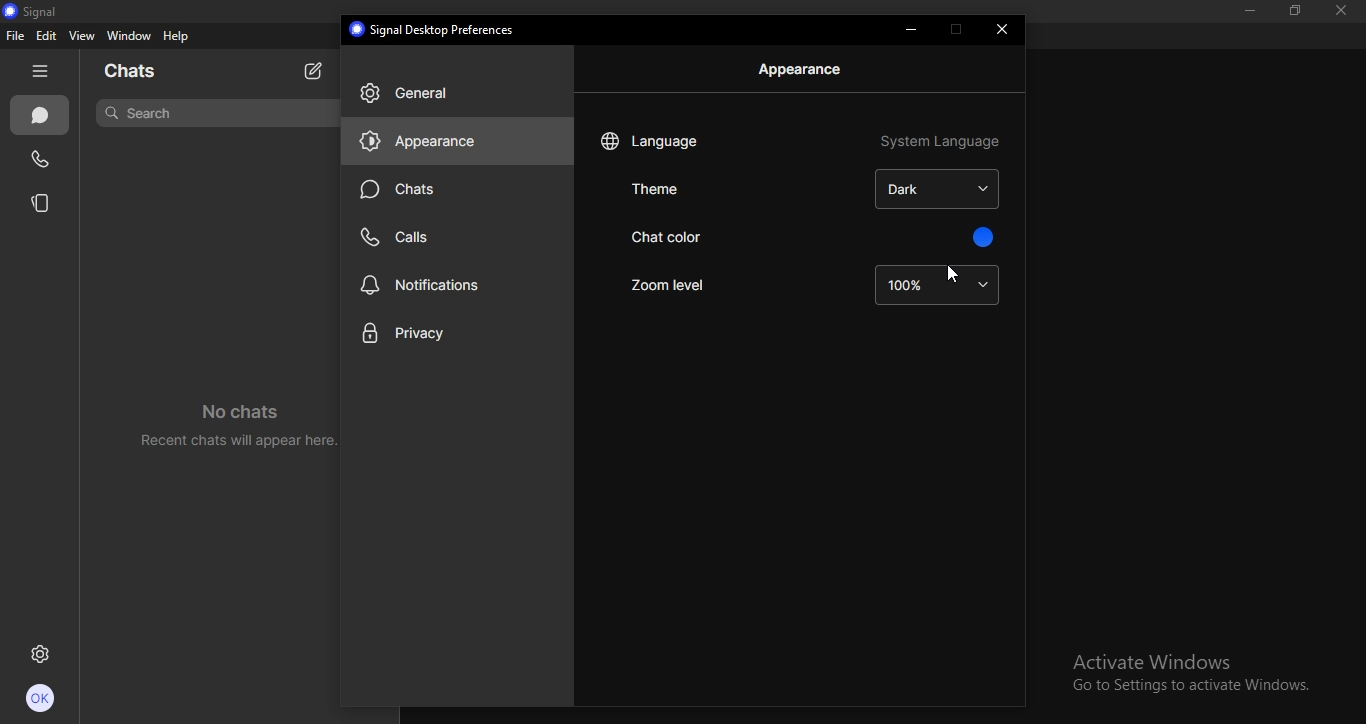  I want to click on signal, so click(37, 11).